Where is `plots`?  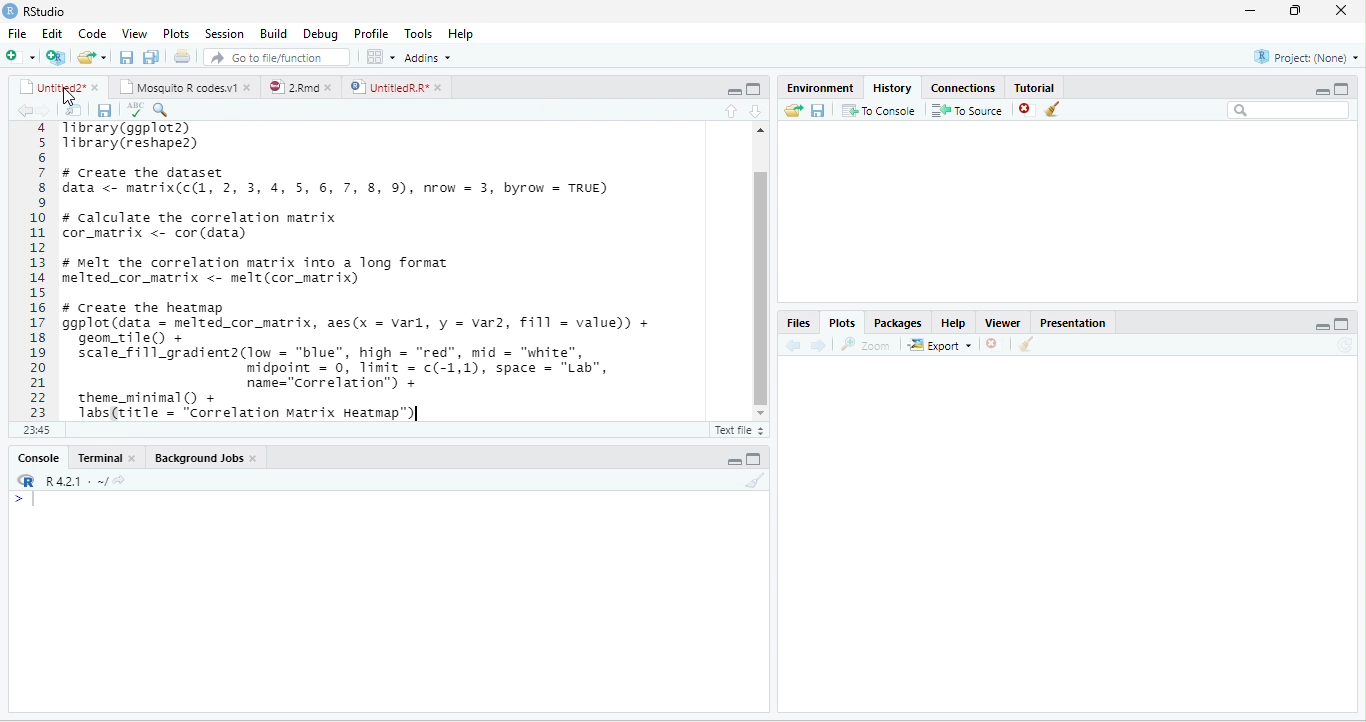 plots is located at coordinates (844, 323).